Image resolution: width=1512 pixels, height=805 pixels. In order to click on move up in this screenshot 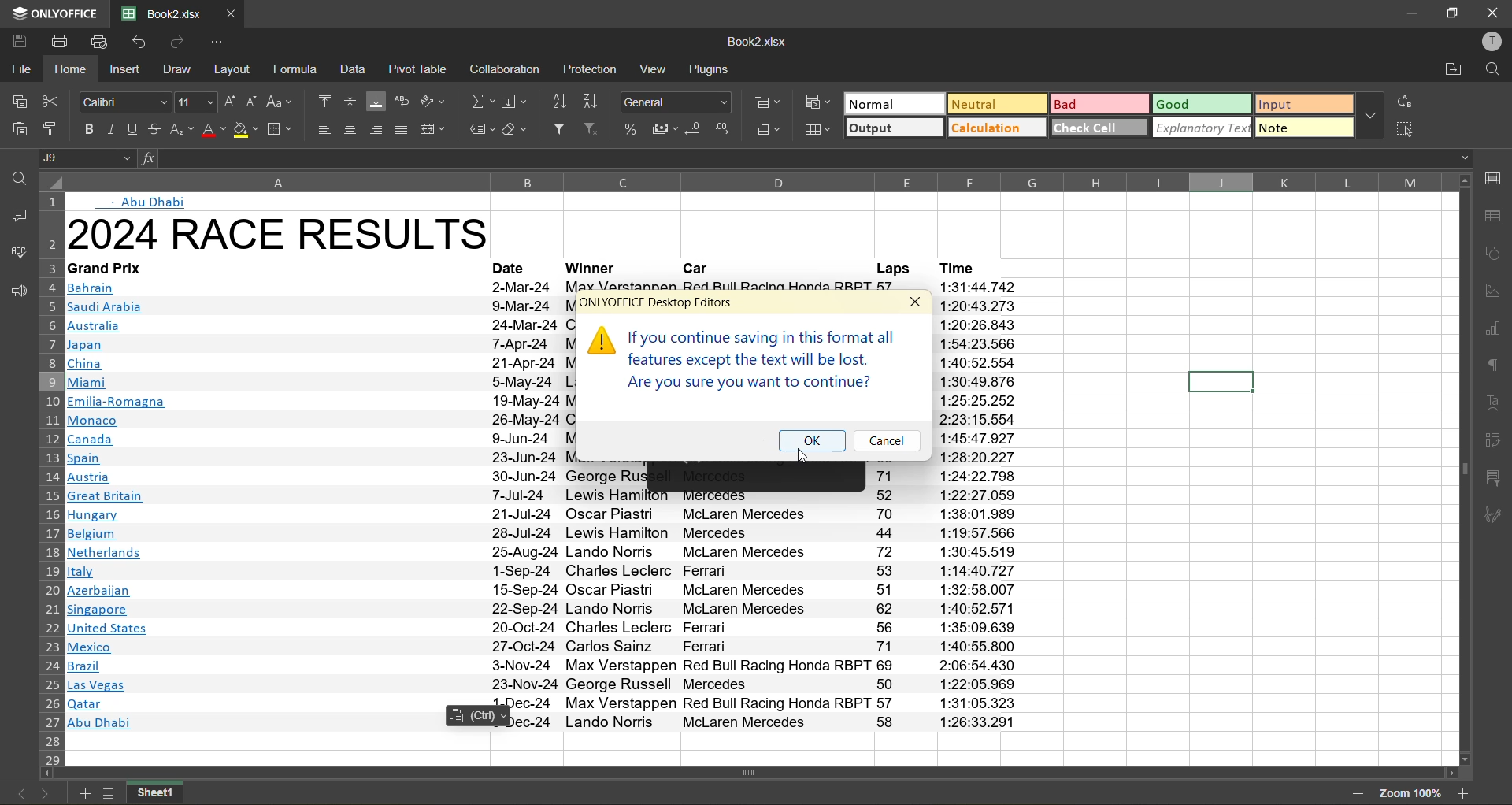, I will do `click(1463, 181)`.